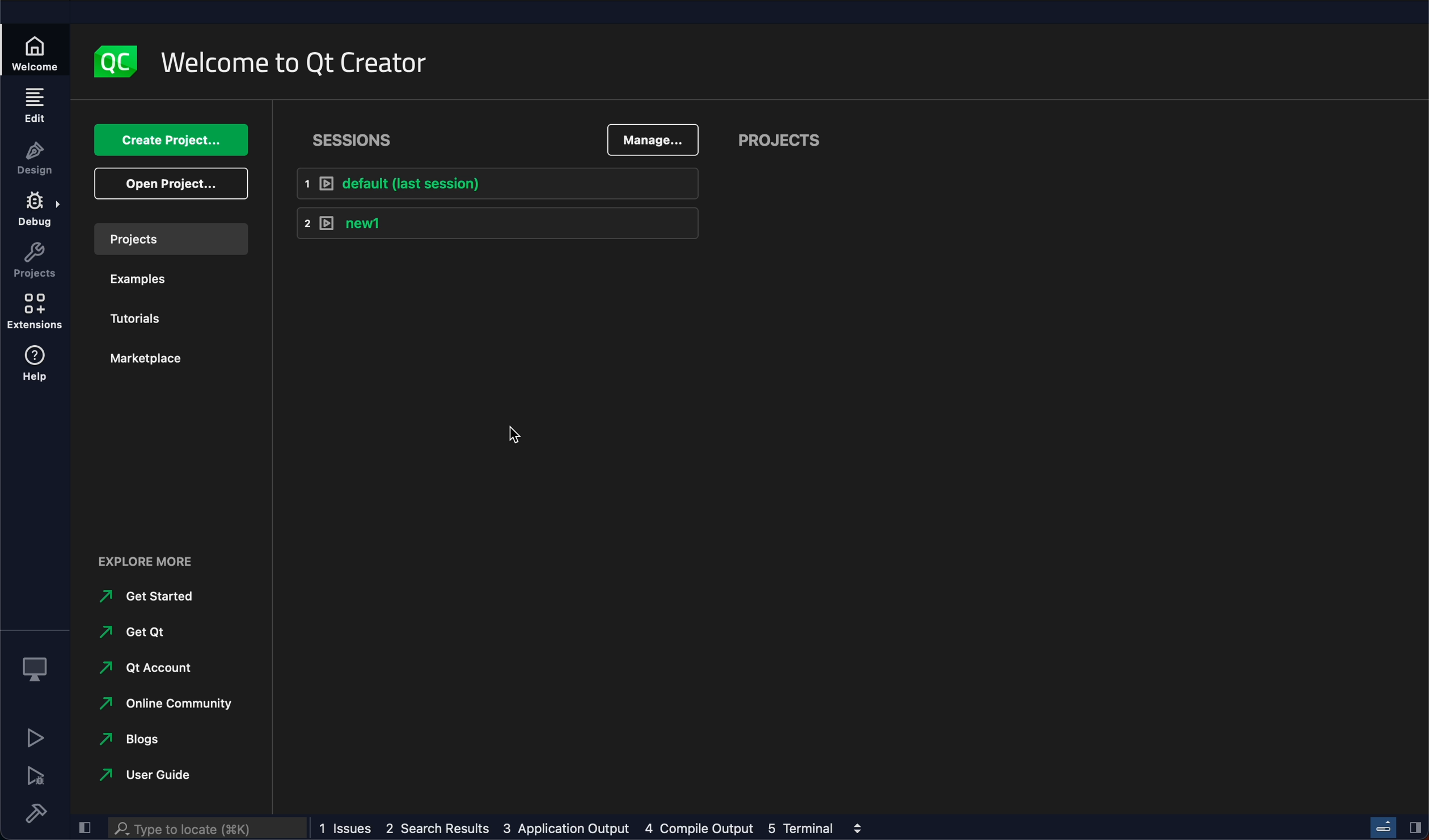 The width and height of the screenshot is (1429, 840). I want to click on examples, so click(146, 278).